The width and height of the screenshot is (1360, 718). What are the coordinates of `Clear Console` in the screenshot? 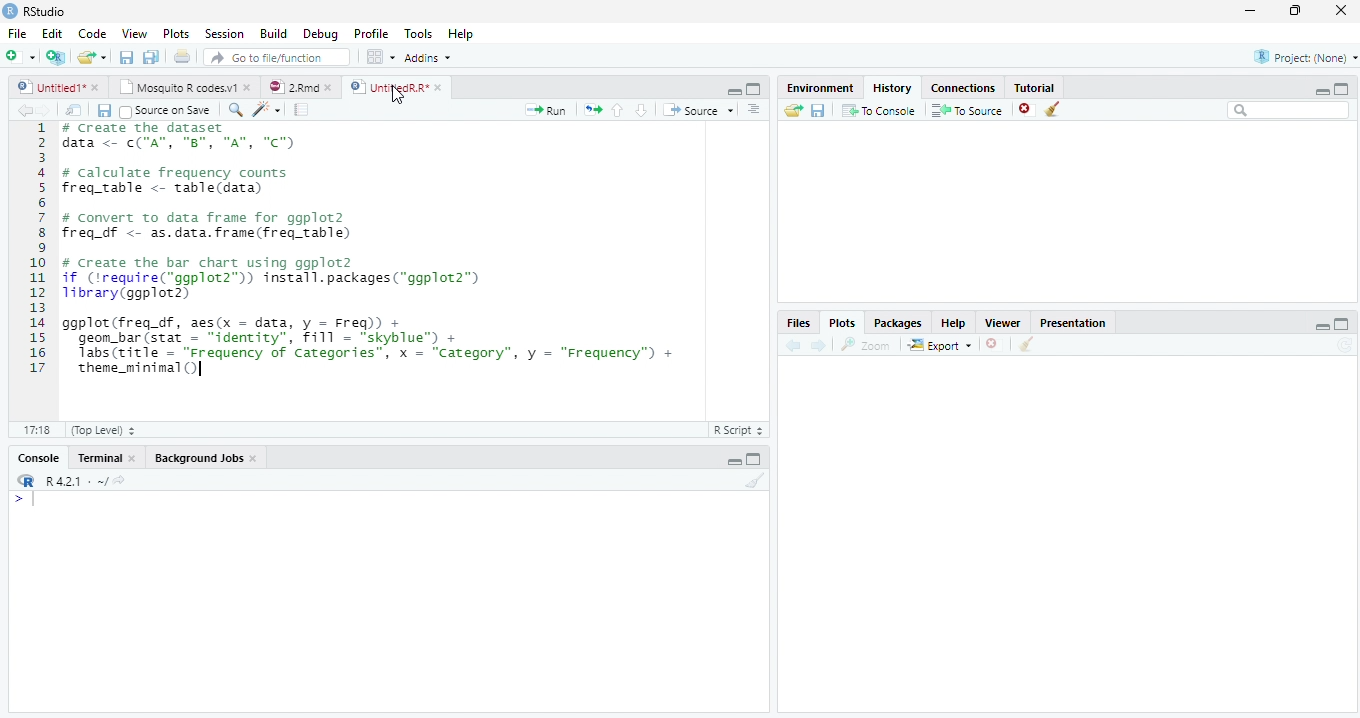 It's located at (1027, 344).